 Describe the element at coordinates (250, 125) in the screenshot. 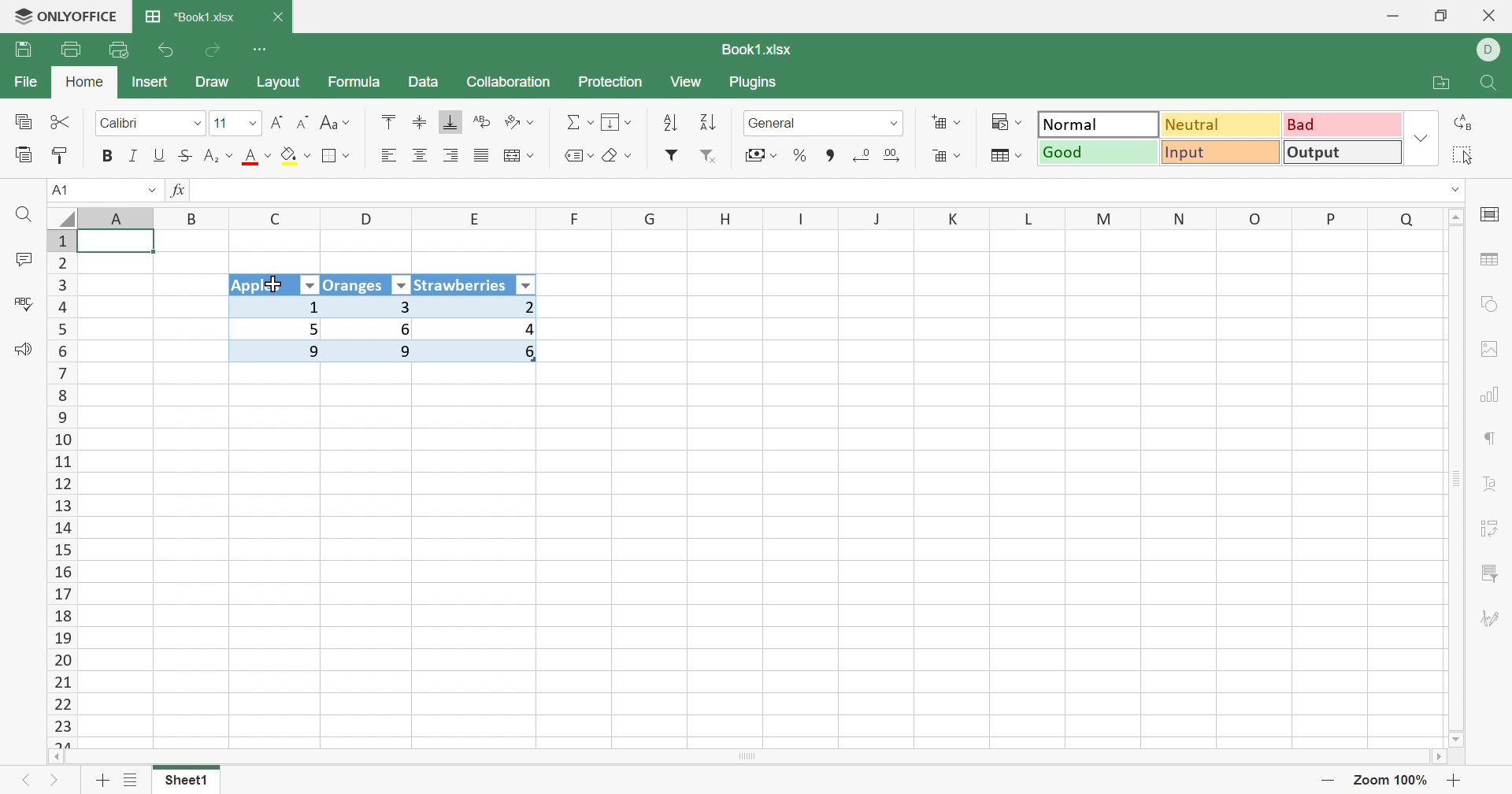

I see `Drop Down` at that location.